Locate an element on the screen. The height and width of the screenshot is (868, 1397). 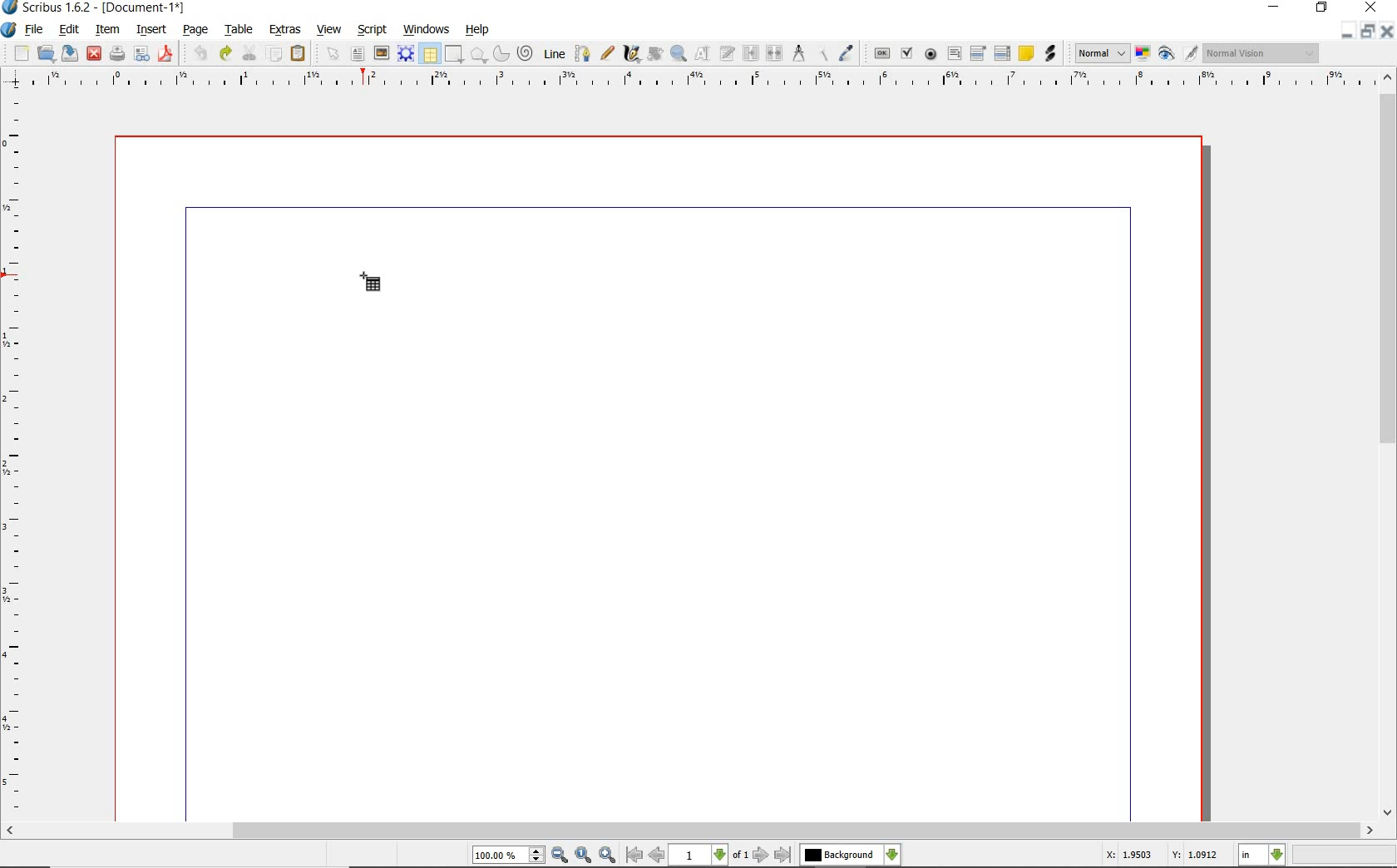
copy is located at coordinates (275, 55).